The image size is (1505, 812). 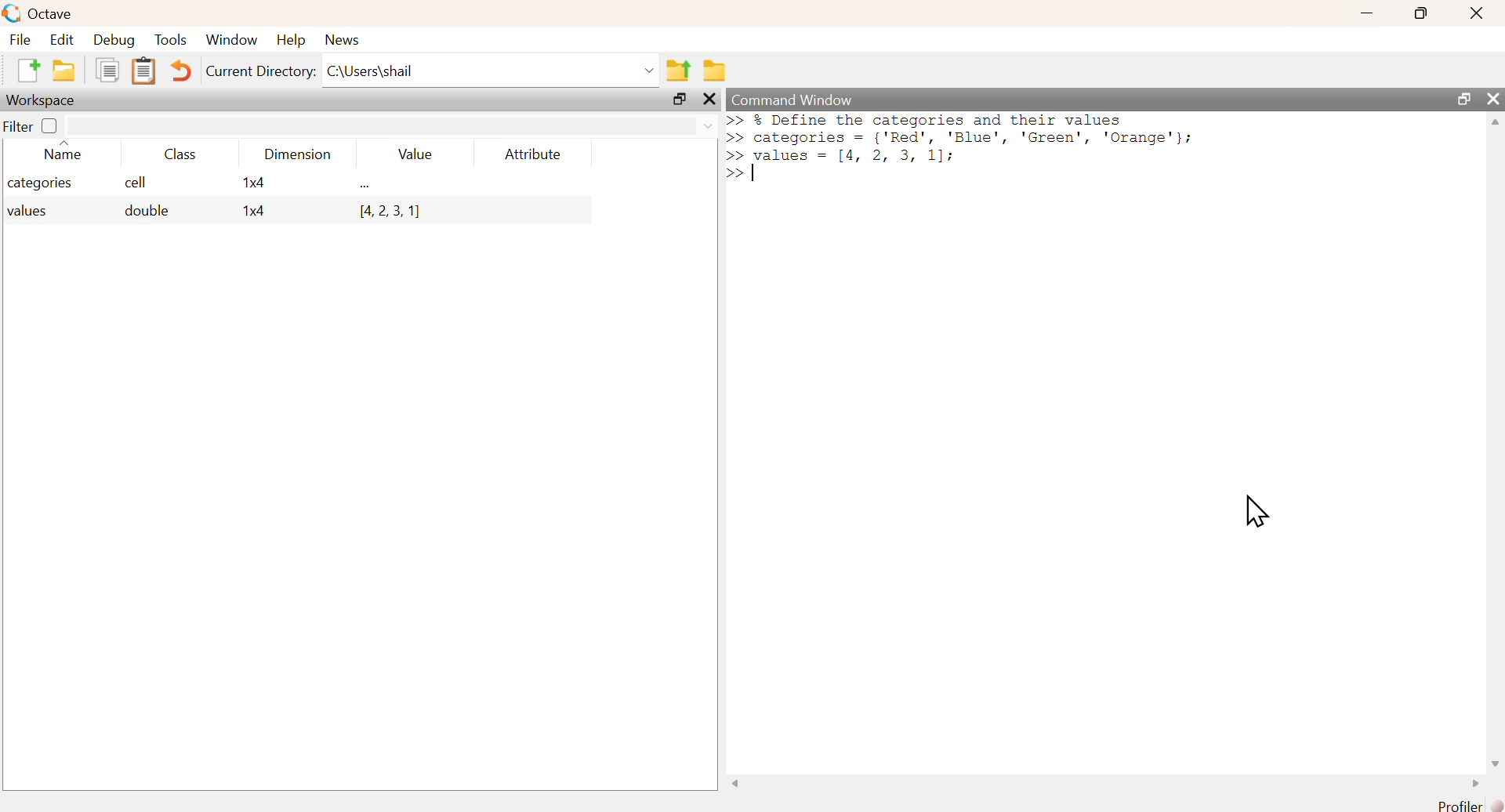 I want to click on Workspace, so click(x=44, y=100).